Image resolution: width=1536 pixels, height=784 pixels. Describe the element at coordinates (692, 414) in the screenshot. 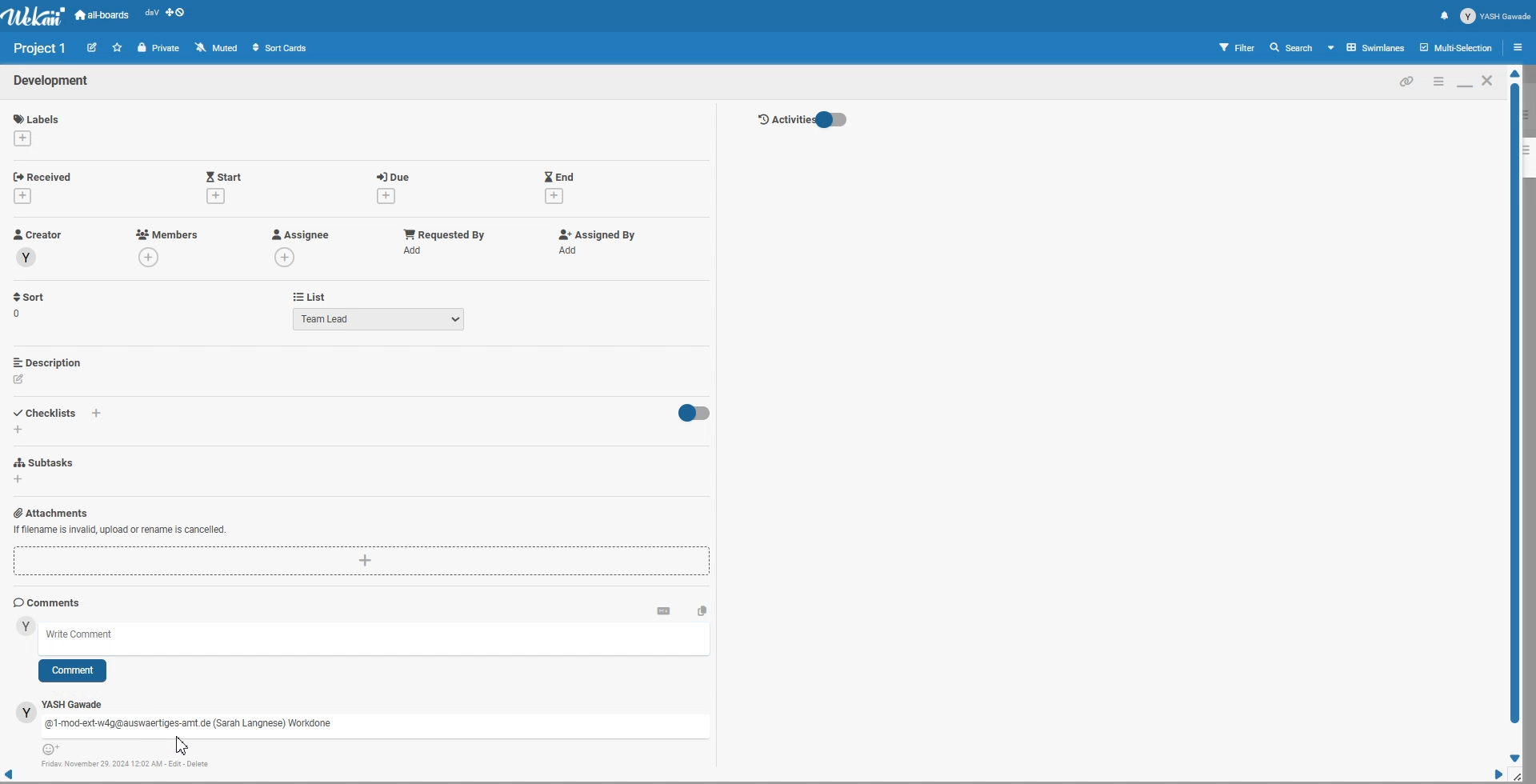

I see `Toggle` at that location.